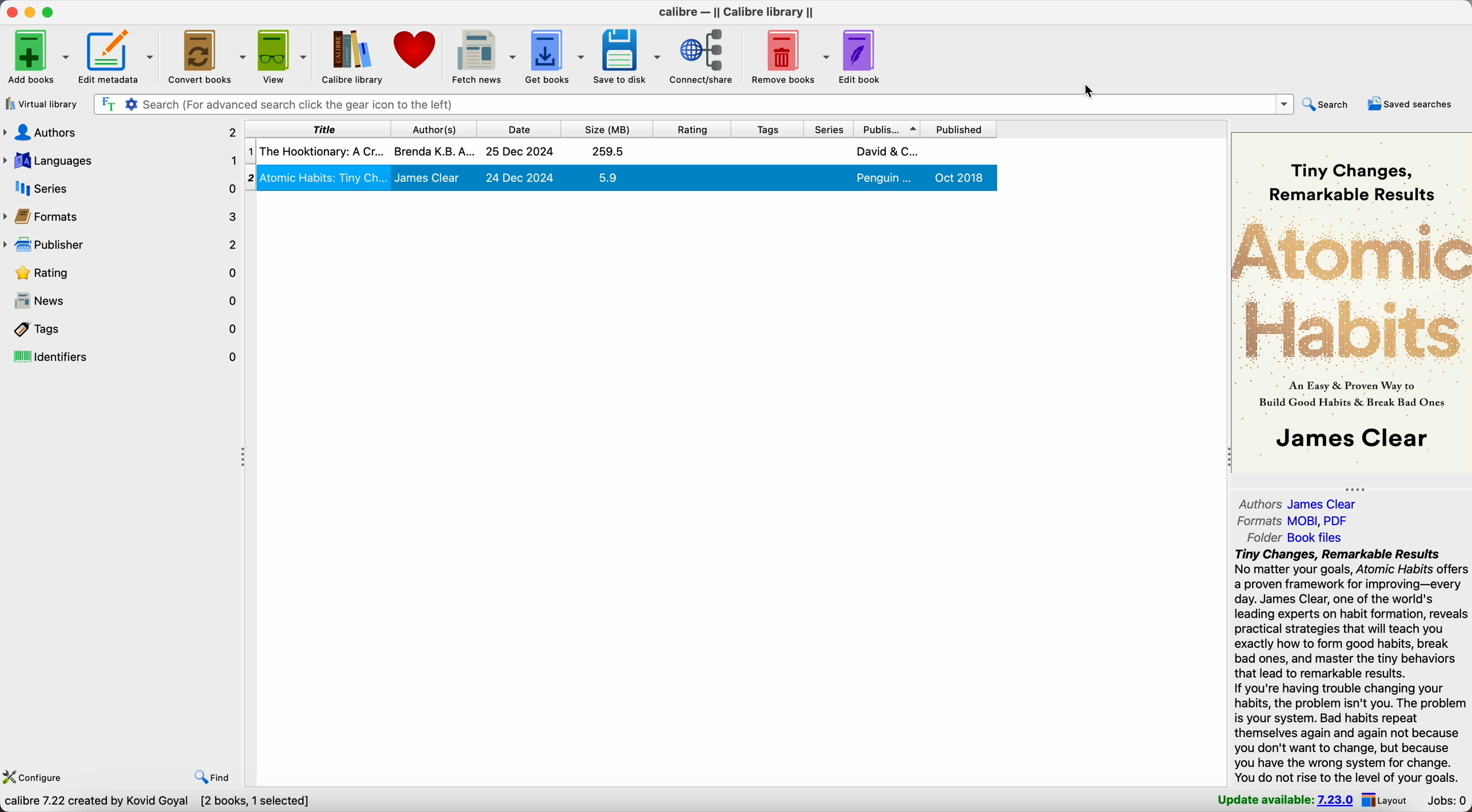 This screenshot has width=1472, height=812. What do you see at coordinates (321, 151) in the screenshot?
I see `The Hookitonary: A Cr` at bounding box center [321, 151].